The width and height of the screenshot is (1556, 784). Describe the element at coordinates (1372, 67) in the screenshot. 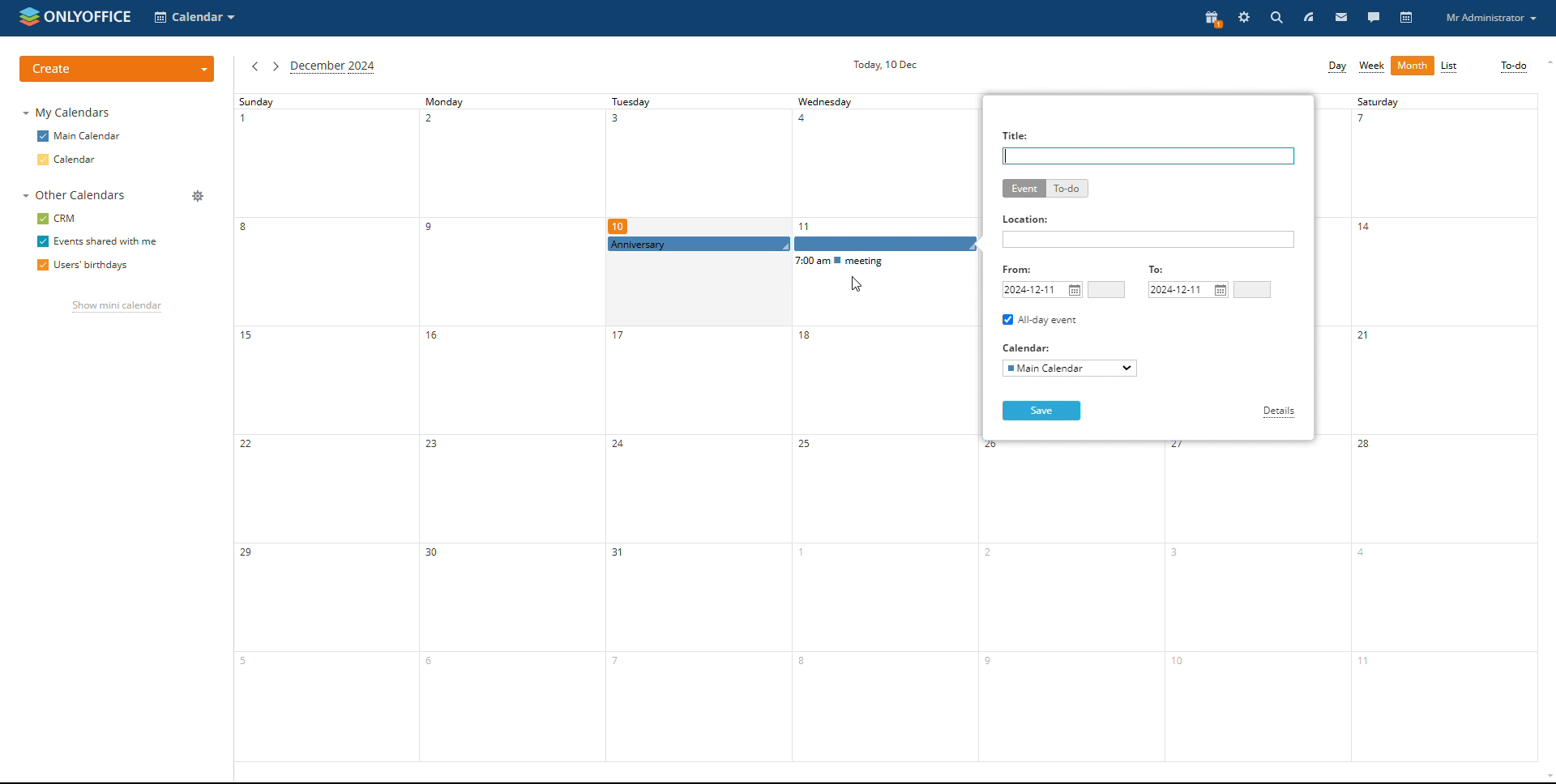

I see `week view` at that location.